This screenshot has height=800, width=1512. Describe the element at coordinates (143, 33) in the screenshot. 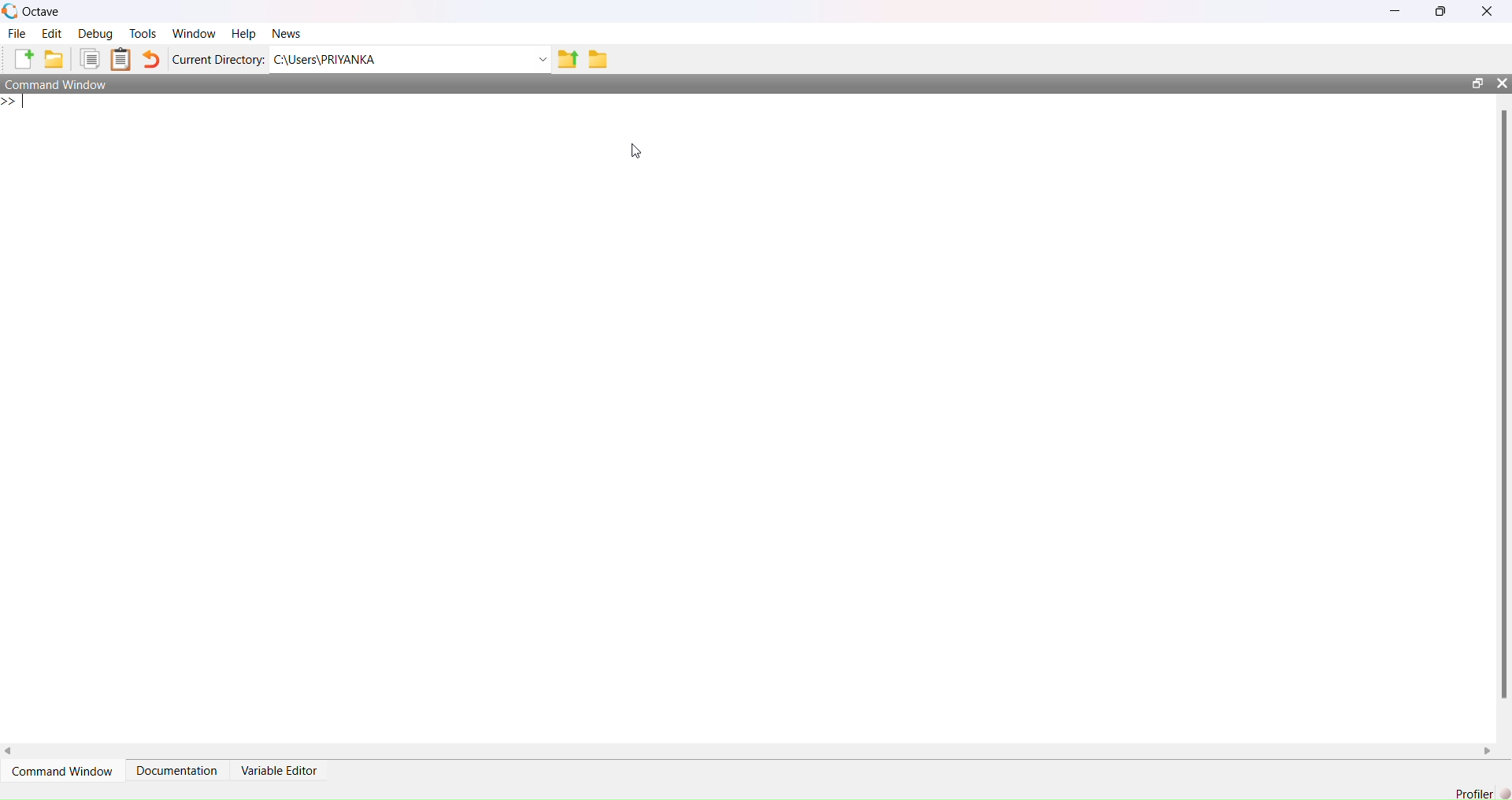

I see `Tools` at that location.